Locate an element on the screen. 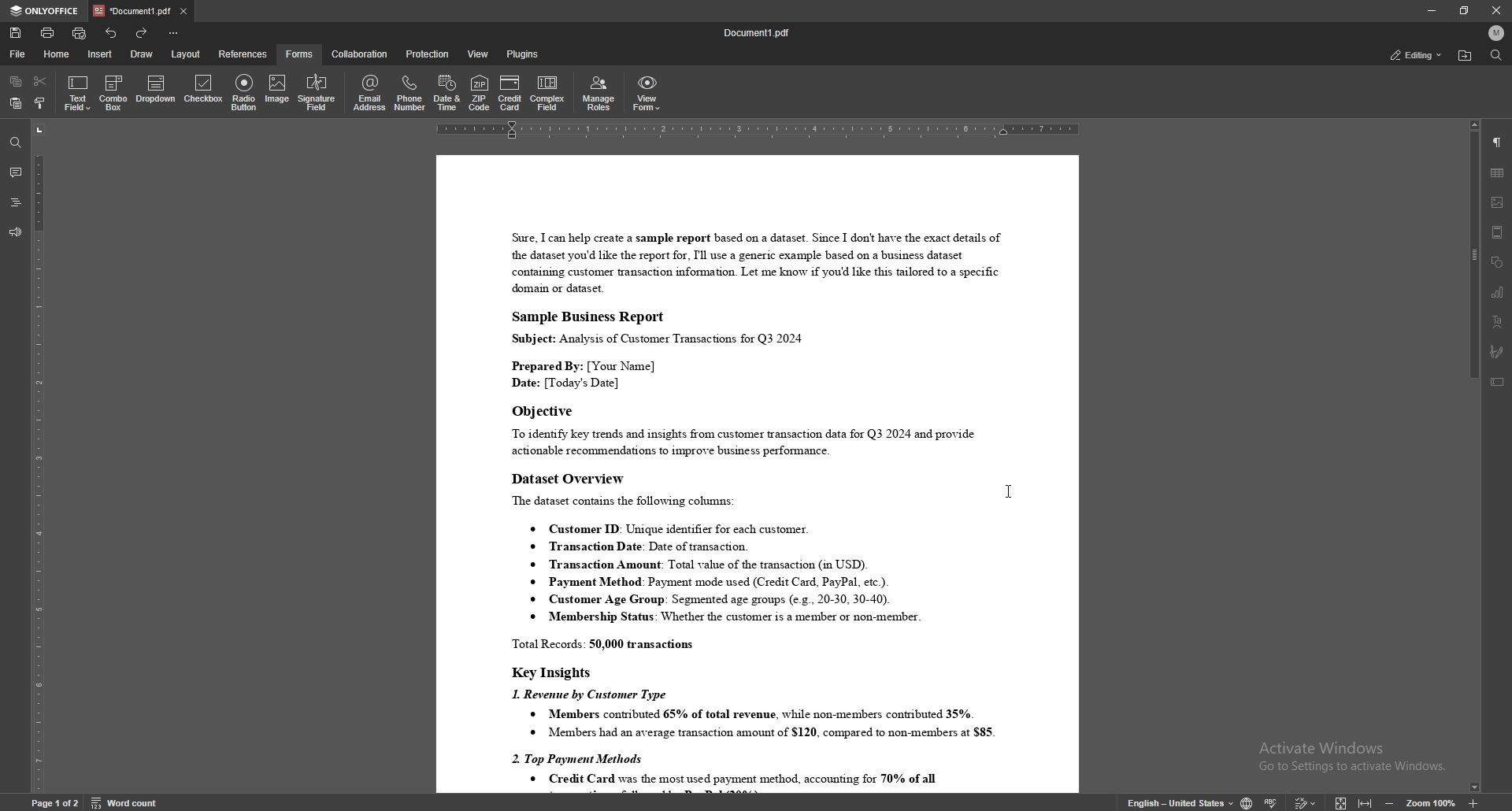  plugins is located at coordinates (524, 54).